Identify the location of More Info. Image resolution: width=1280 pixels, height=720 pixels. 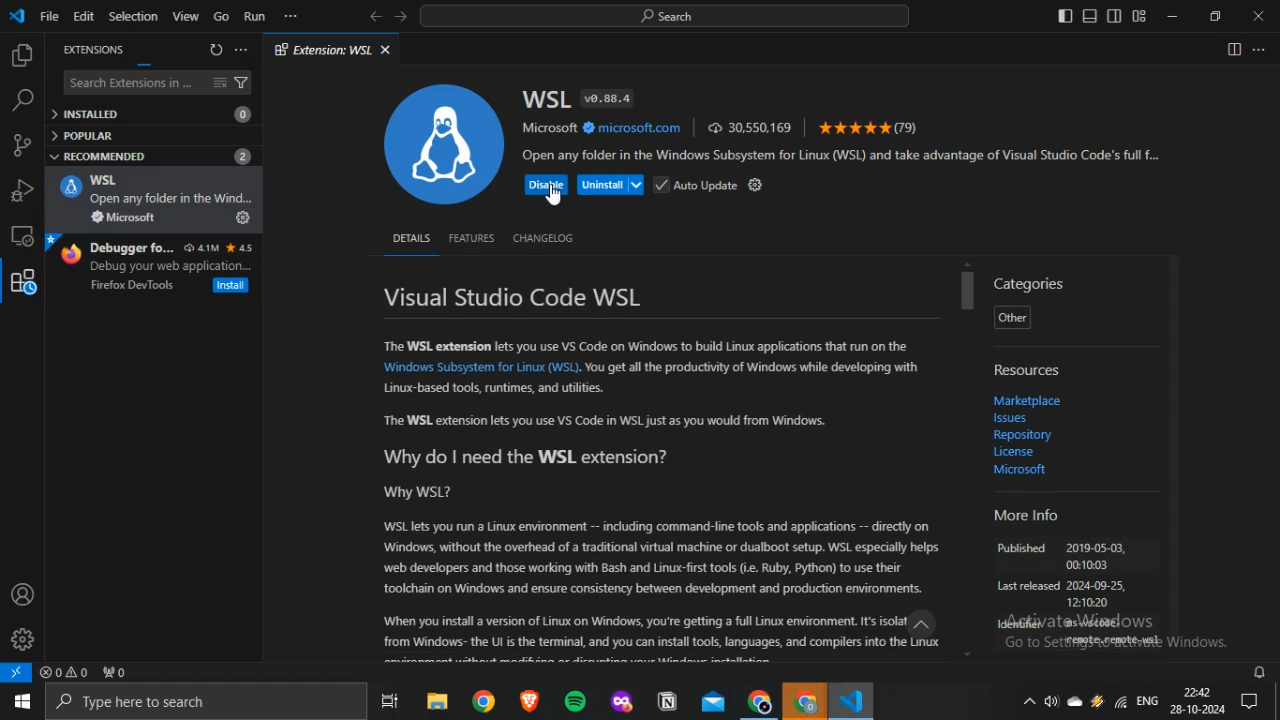
(1025, 518).